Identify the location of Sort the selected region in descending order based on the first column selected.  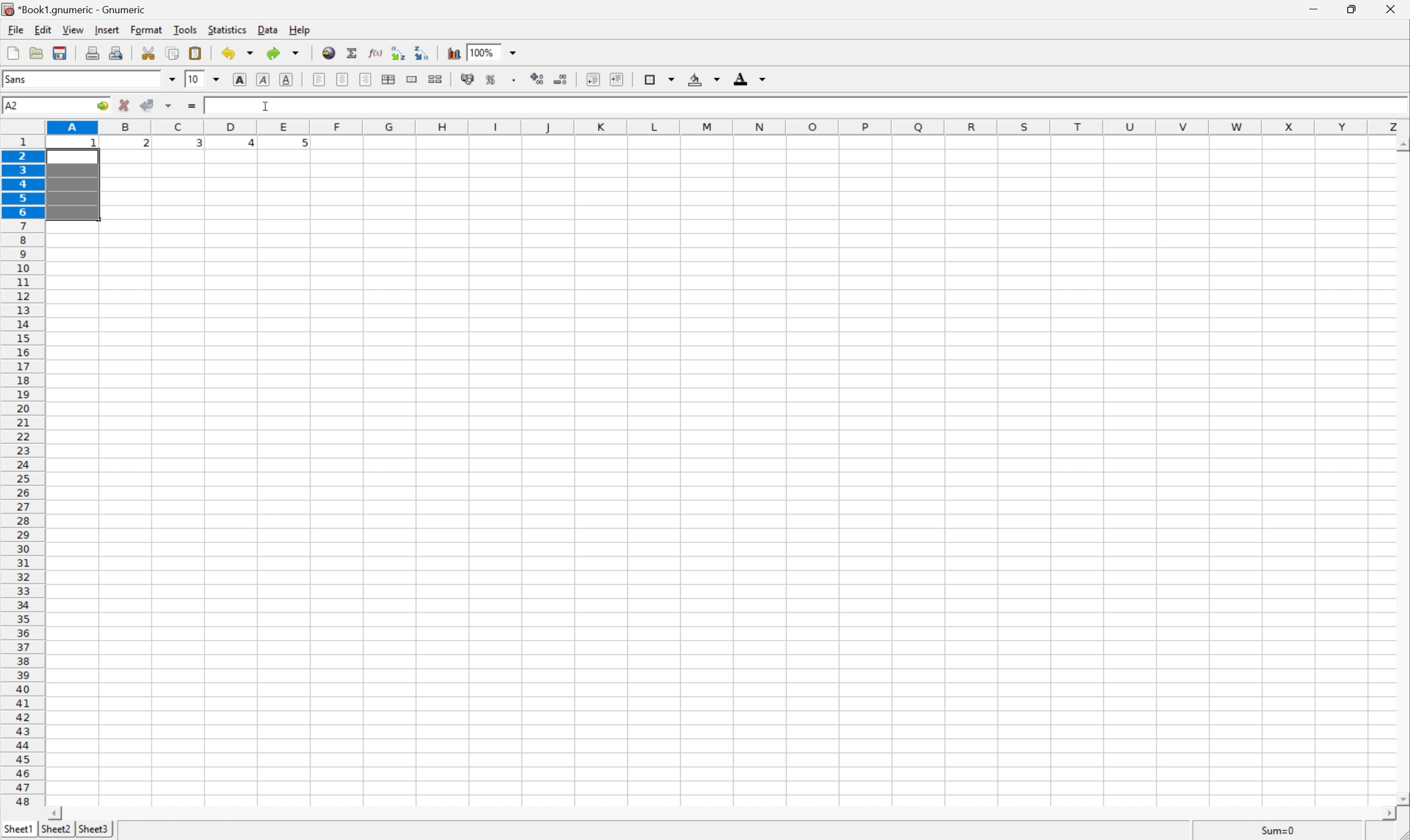
(422, 53).